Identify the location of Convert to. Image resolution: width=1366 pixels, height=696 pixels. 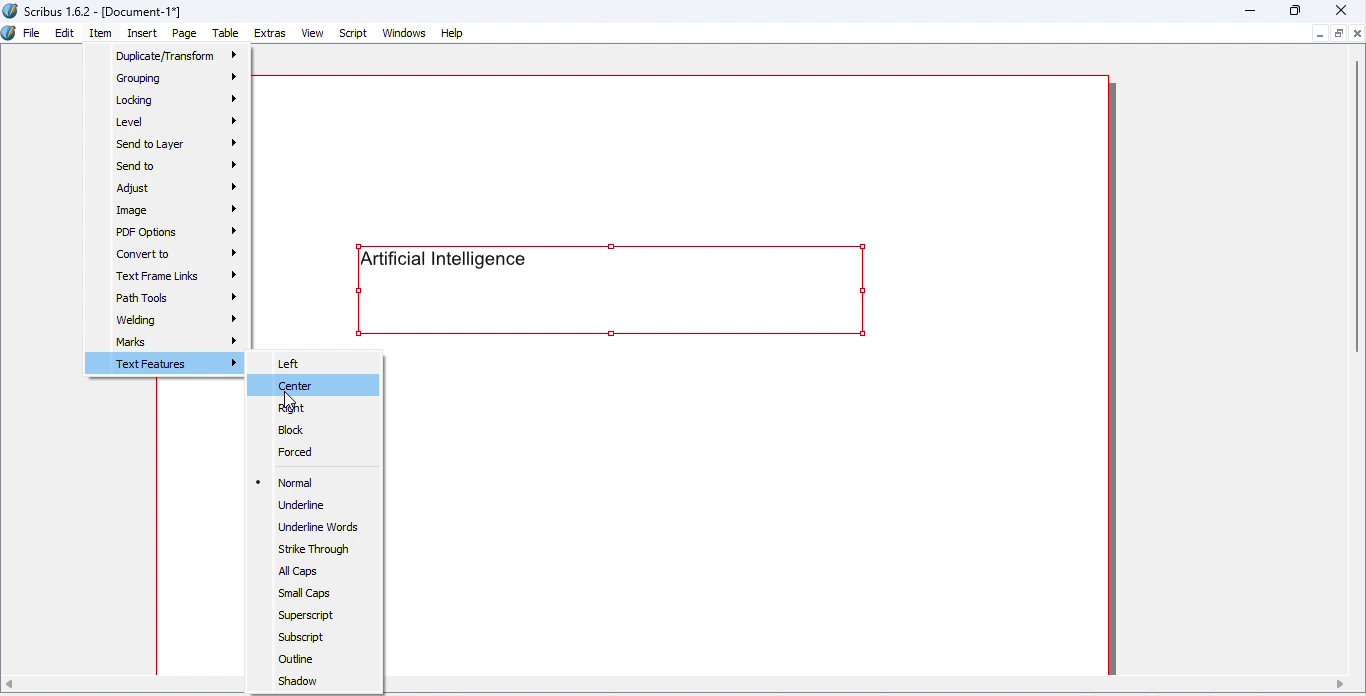
(174, 254).